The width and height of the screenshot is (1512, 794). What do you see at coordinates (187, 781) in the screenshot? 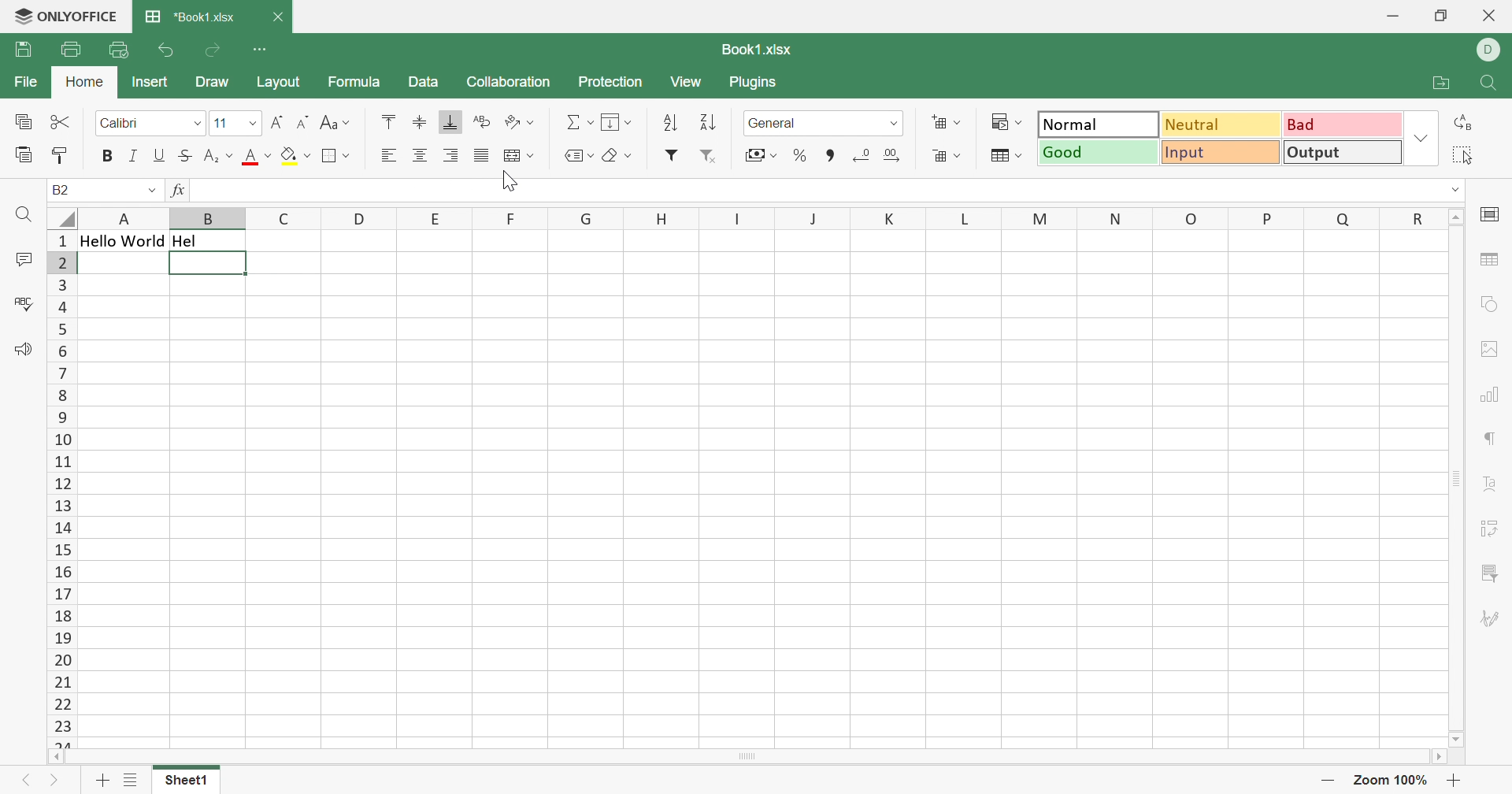
I see `Sheet1` at bounding box center [187, 781].